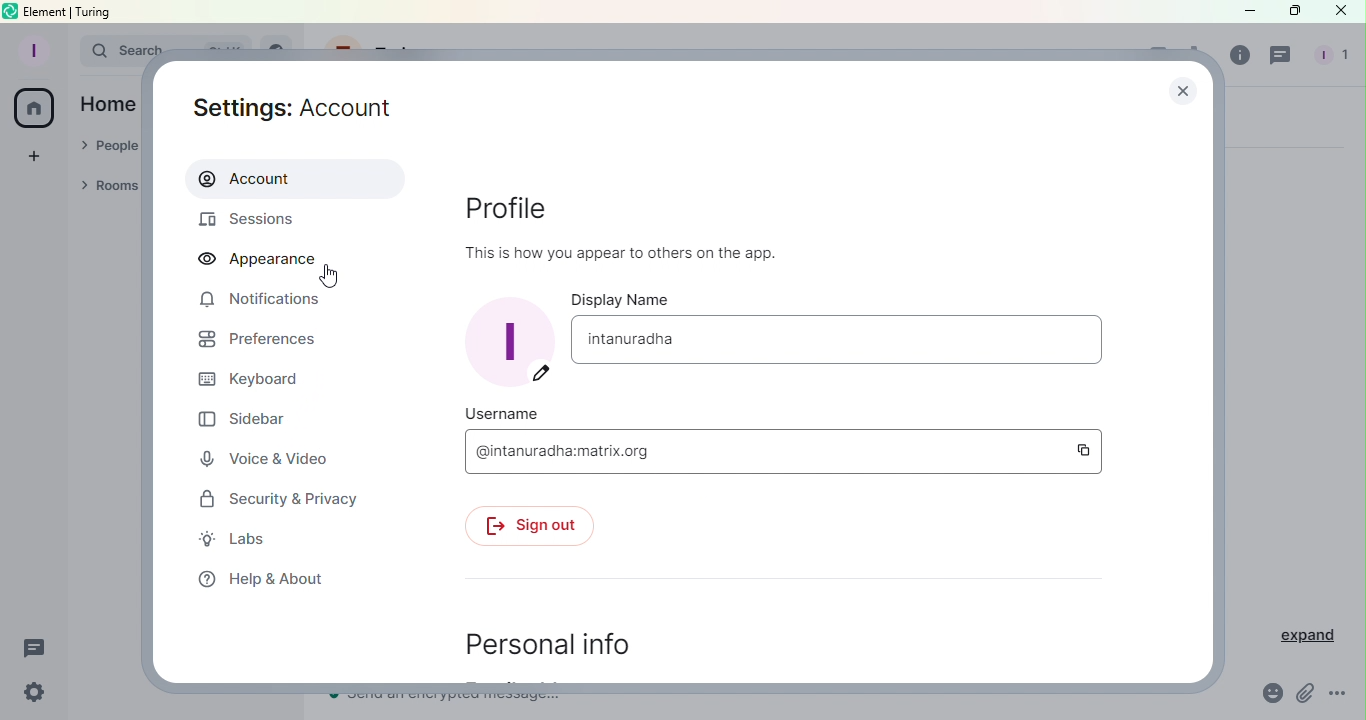  I want to click on Expand, so click(1298, 636).